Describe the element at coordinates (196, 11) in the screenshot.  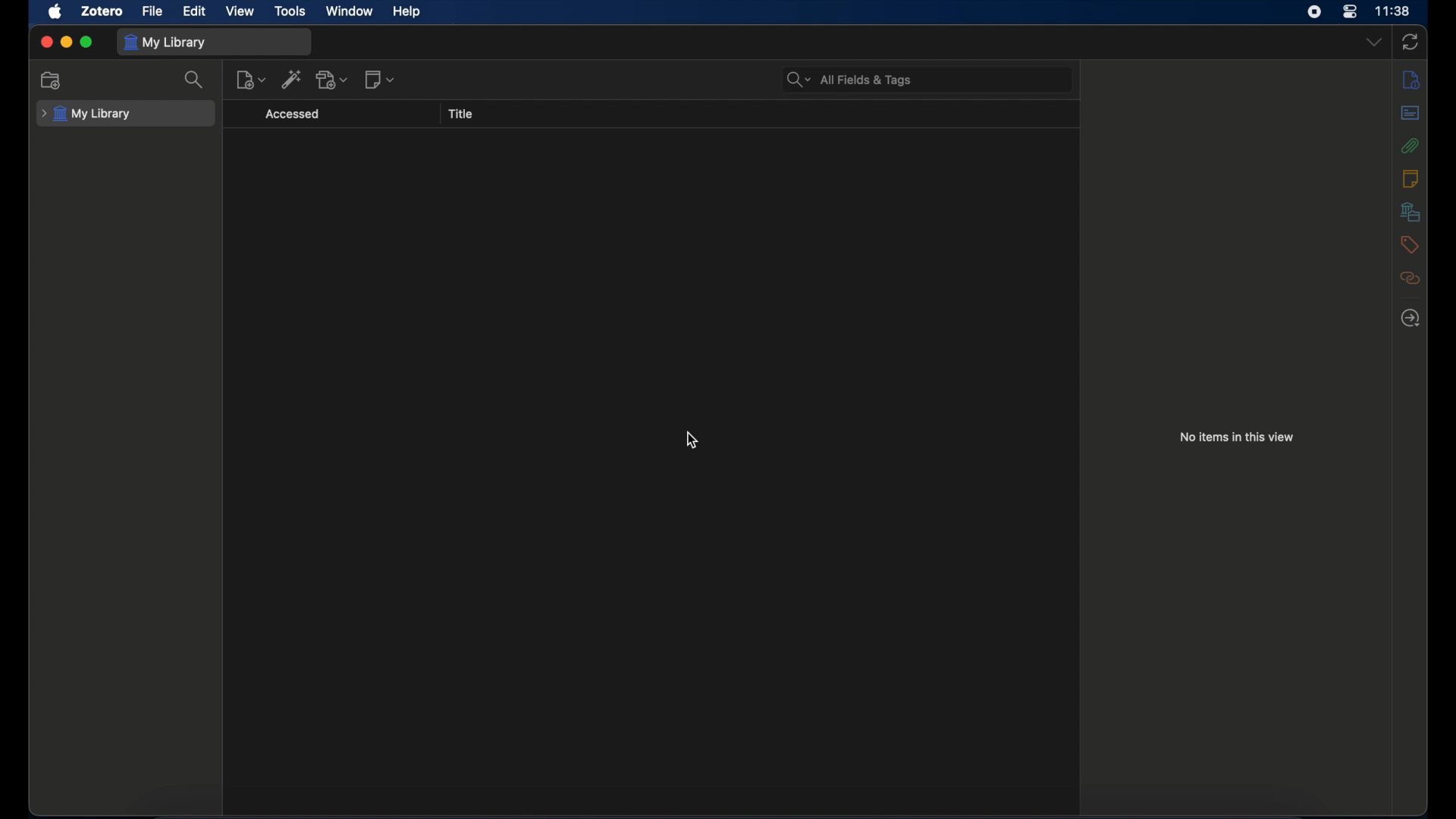
I see `edit` at that location.